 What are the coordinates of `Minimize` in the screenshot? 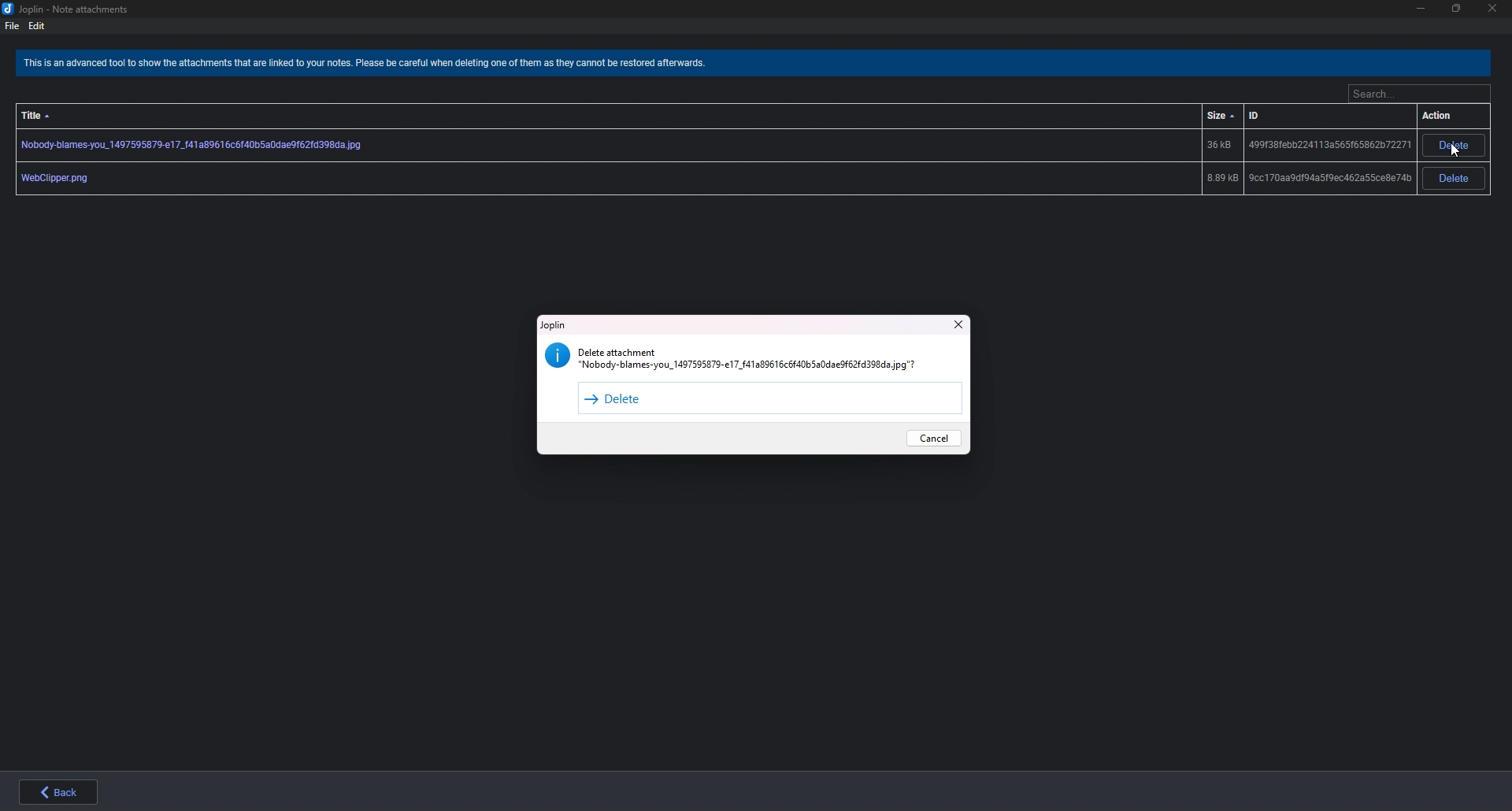 It's located at (1420, 9).